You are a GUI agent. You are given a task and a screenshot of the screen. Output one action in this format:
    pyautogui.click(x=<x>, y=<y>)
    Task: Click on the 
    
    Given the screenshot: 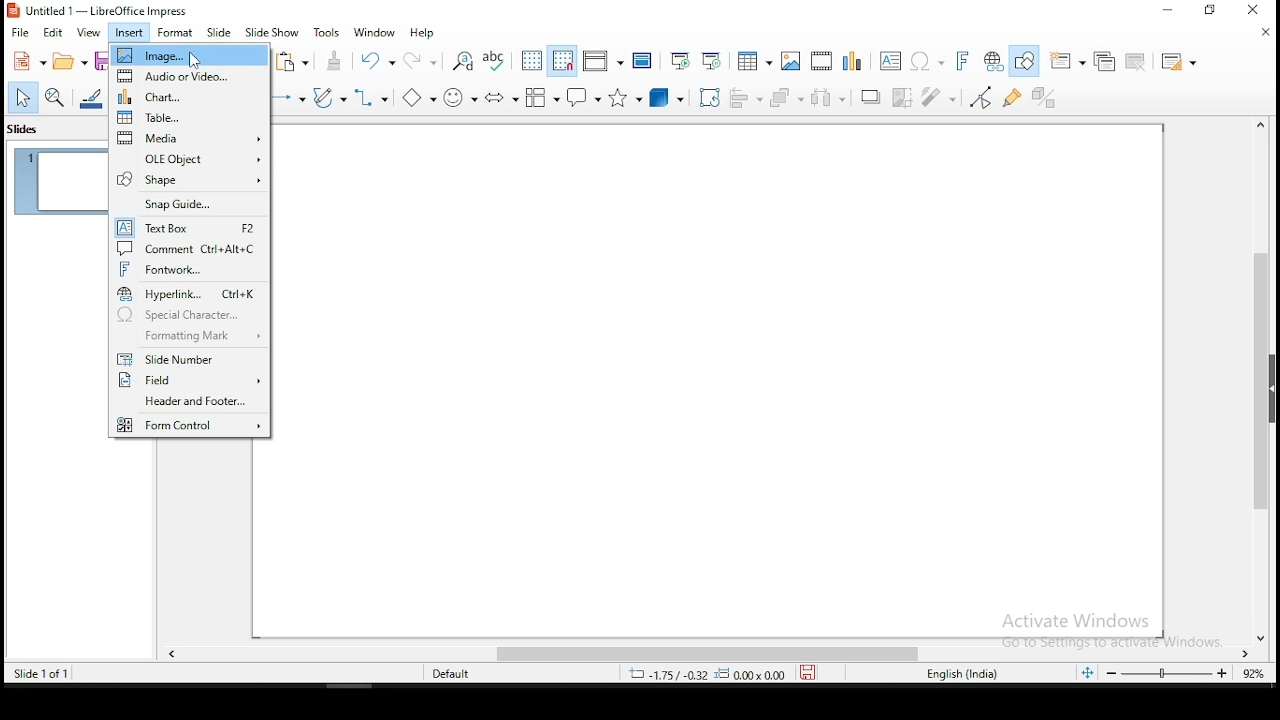 What is the action you would take?
    pyautogui.click(x=851, y=59)
    